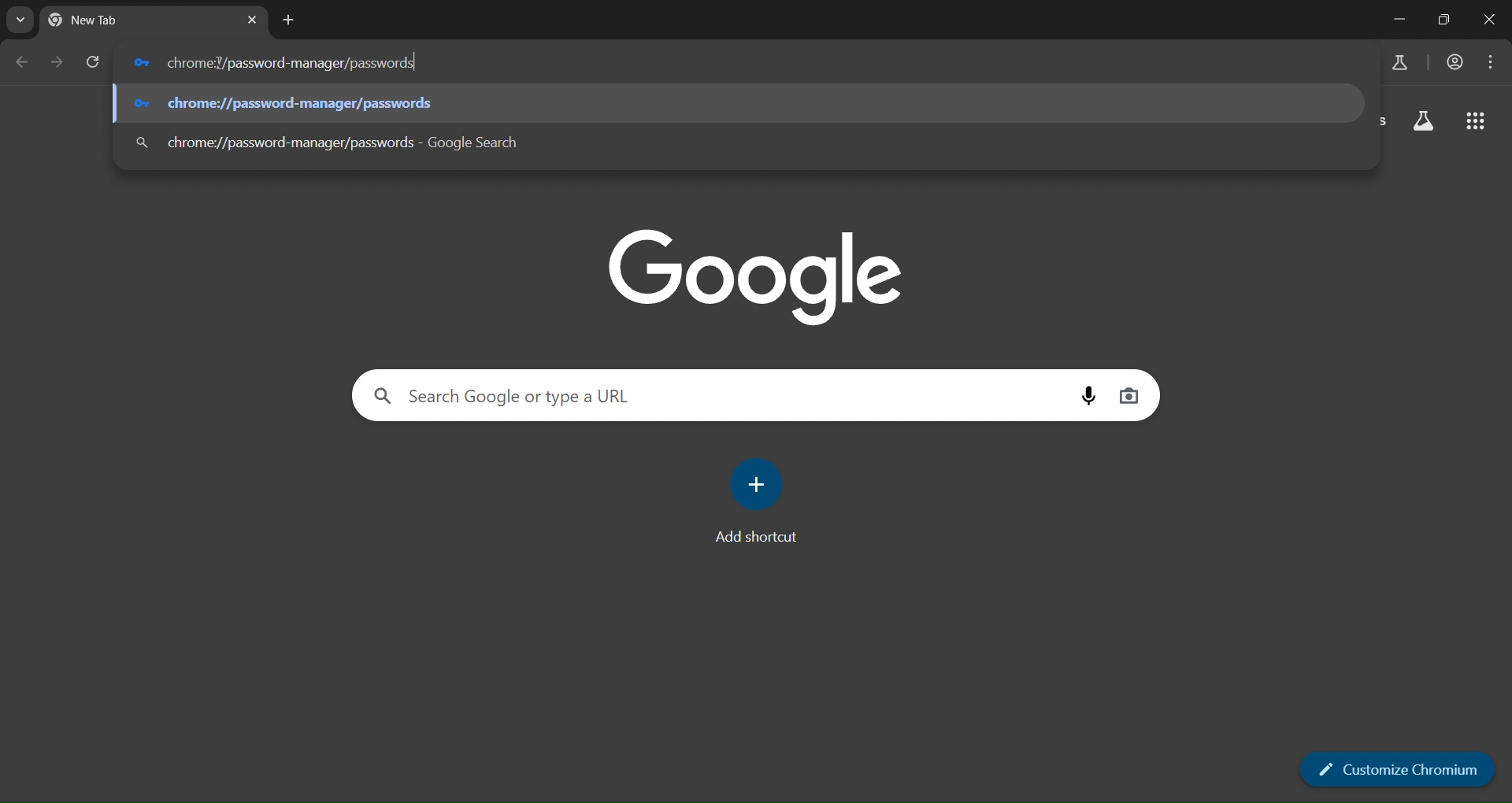 Image resolution: width=1512 pixels, height=803 pixels. What do you see at coordinates (1457, 62) in the screenshot?
I see `account` at bounding box center [1457, 62].